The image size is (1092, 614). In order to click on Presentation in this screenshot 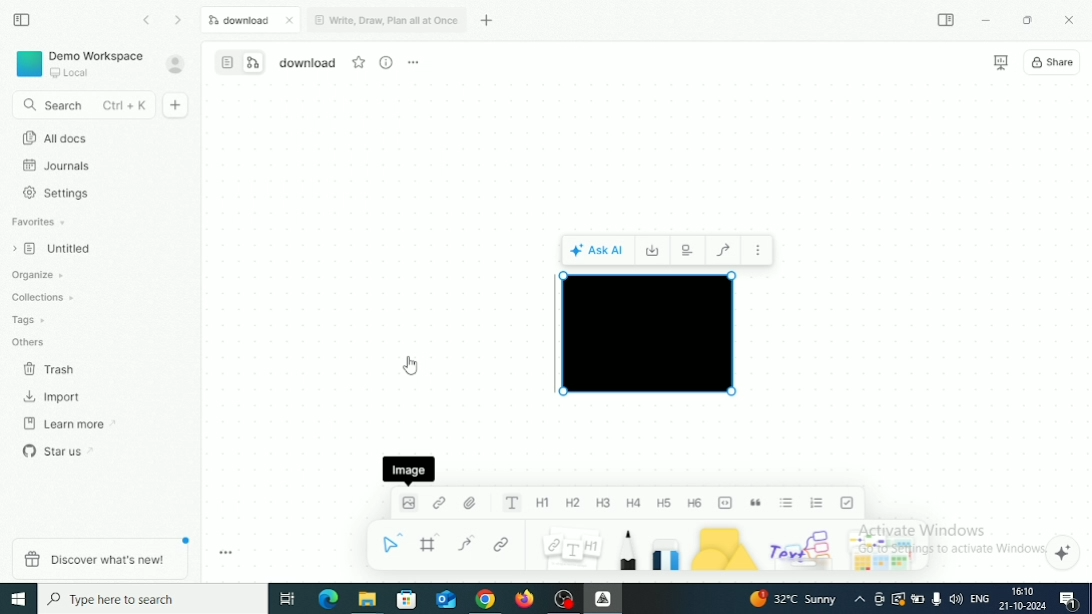, I will do `click(1001, 63)`.